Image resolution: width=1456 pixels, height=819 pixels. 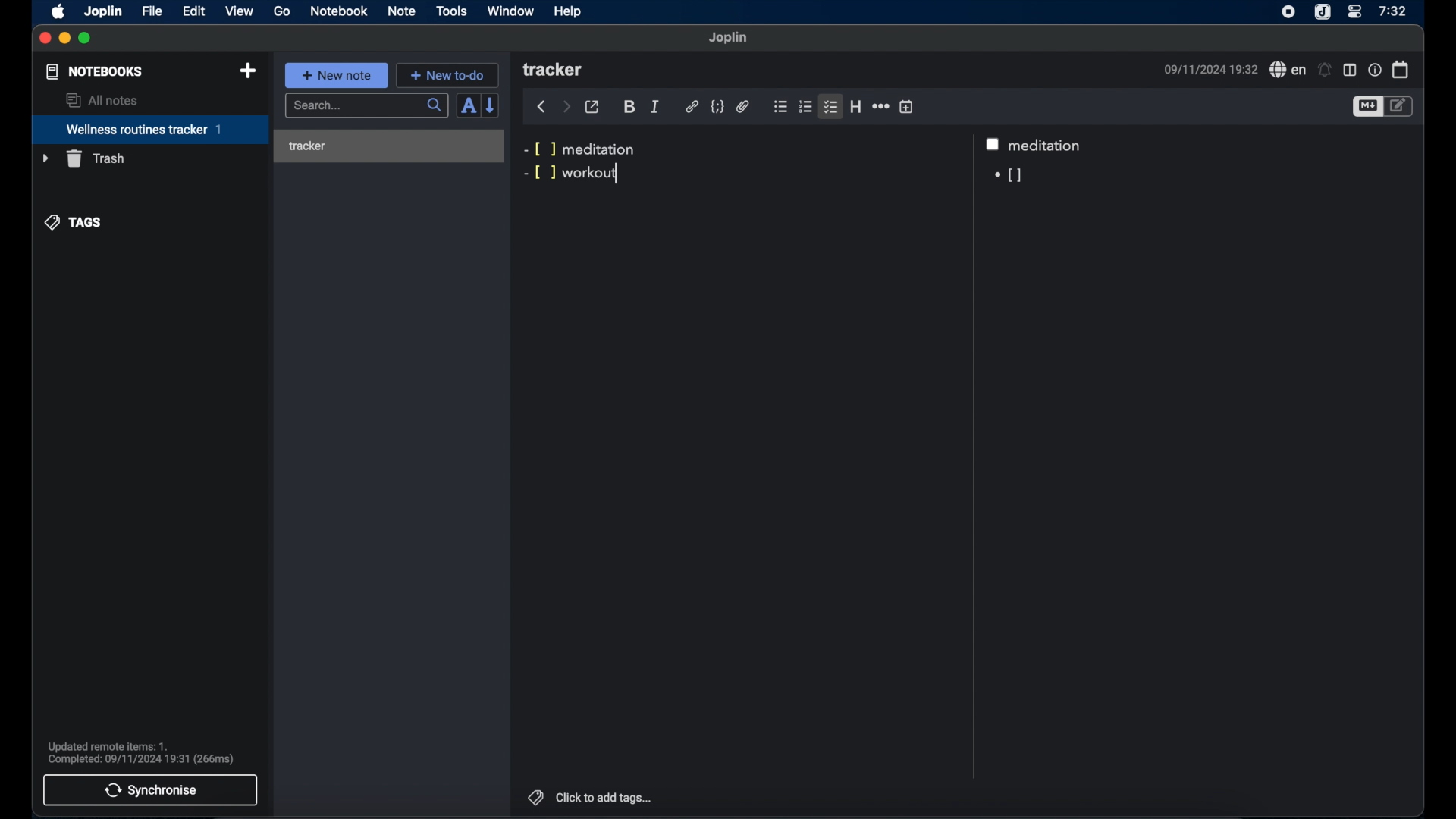 What do you see at coordinates (1048, 146) in the screenshot?
I see `meditation` at bounding box center [1048, 146].